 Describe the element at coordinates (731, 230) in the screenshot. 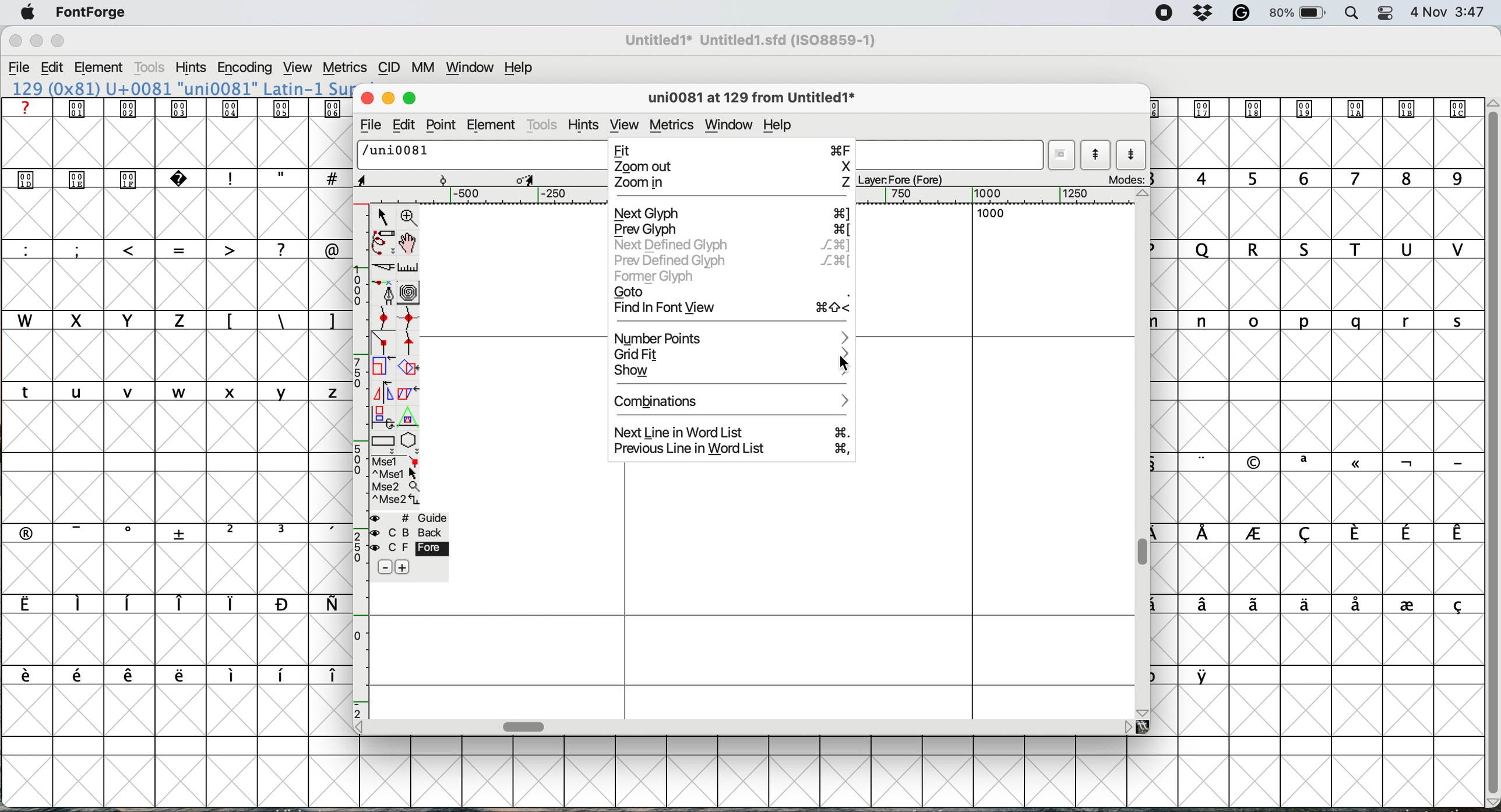

I see `previous glyph` at that location.